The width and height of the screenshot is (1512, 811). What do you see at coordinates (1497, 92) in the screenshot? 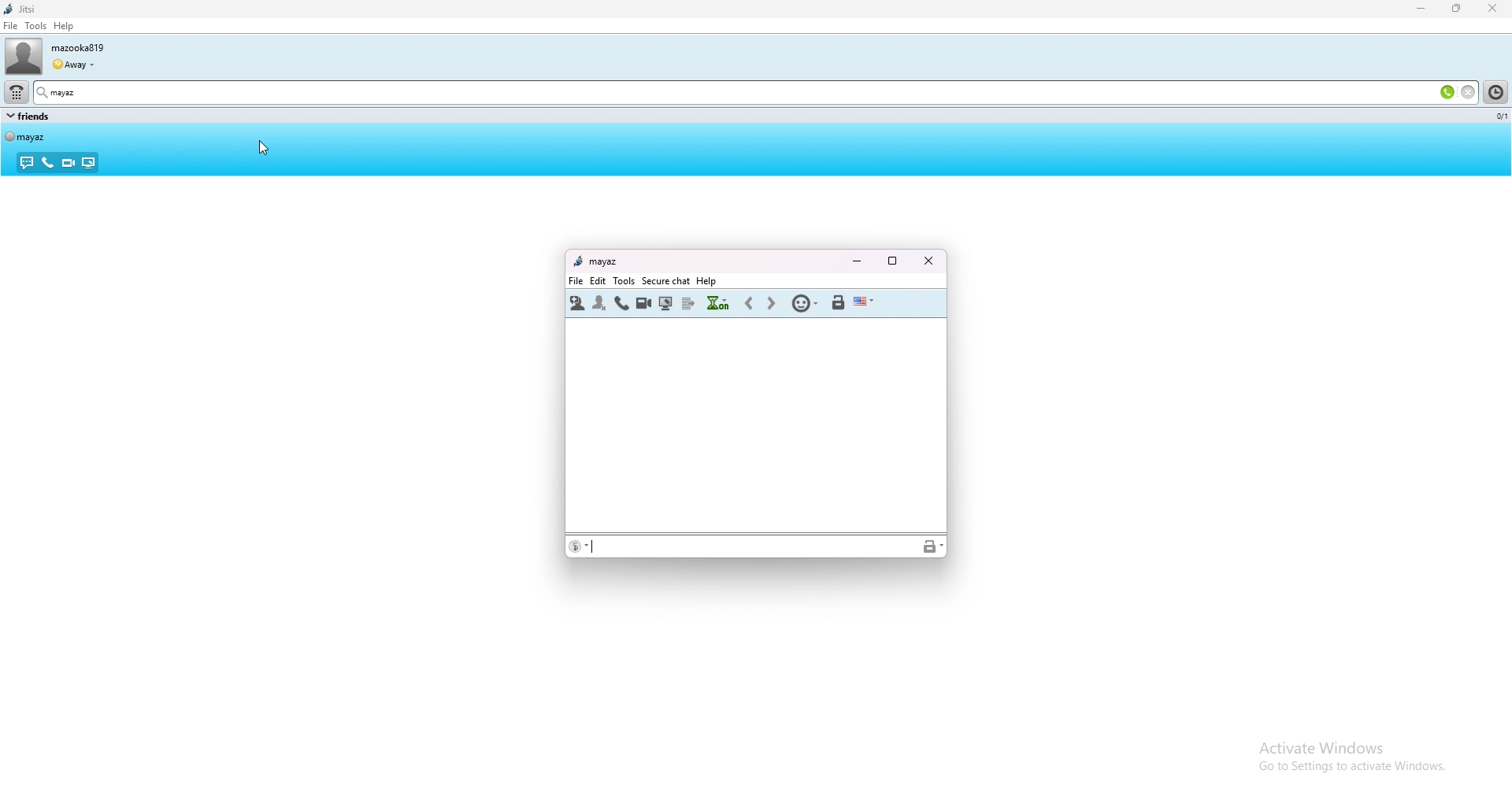
I see `history` at bounding box center [1497, 92].